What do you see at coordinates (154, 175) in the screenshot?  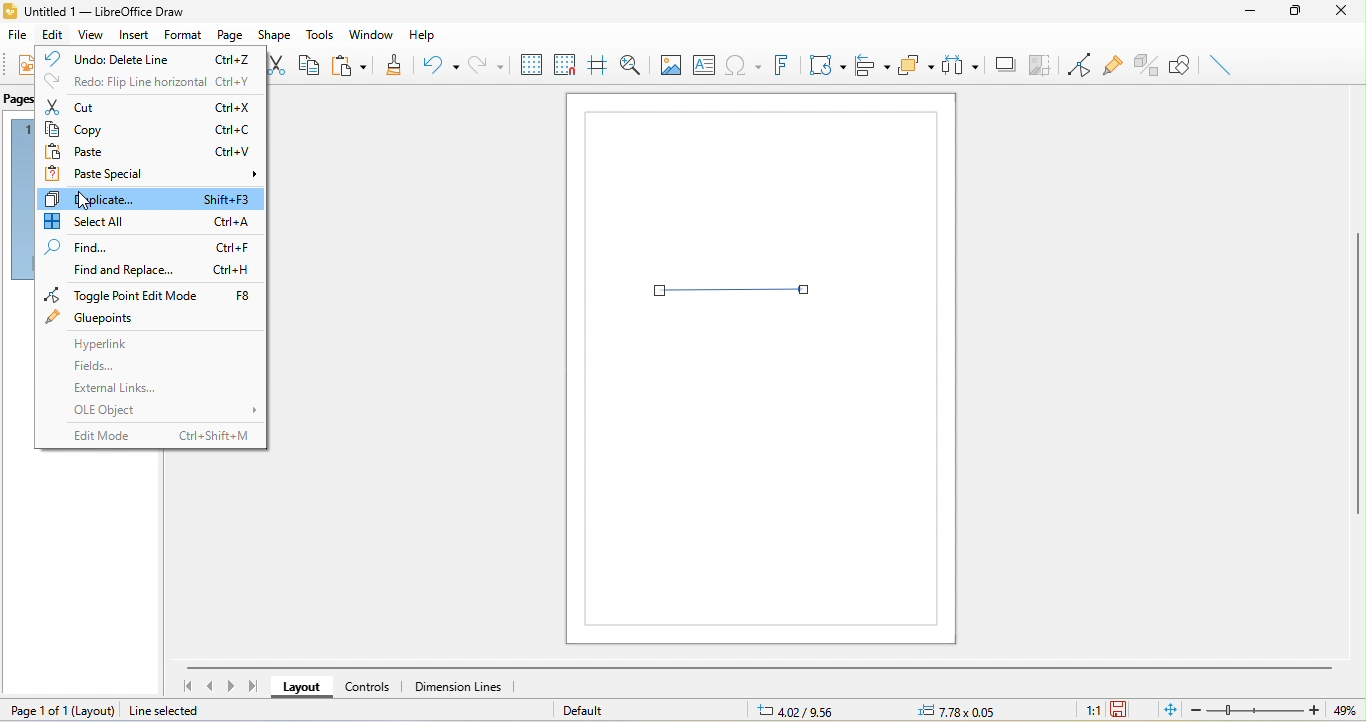 I see `paste special` at bounding box center [154, 175].